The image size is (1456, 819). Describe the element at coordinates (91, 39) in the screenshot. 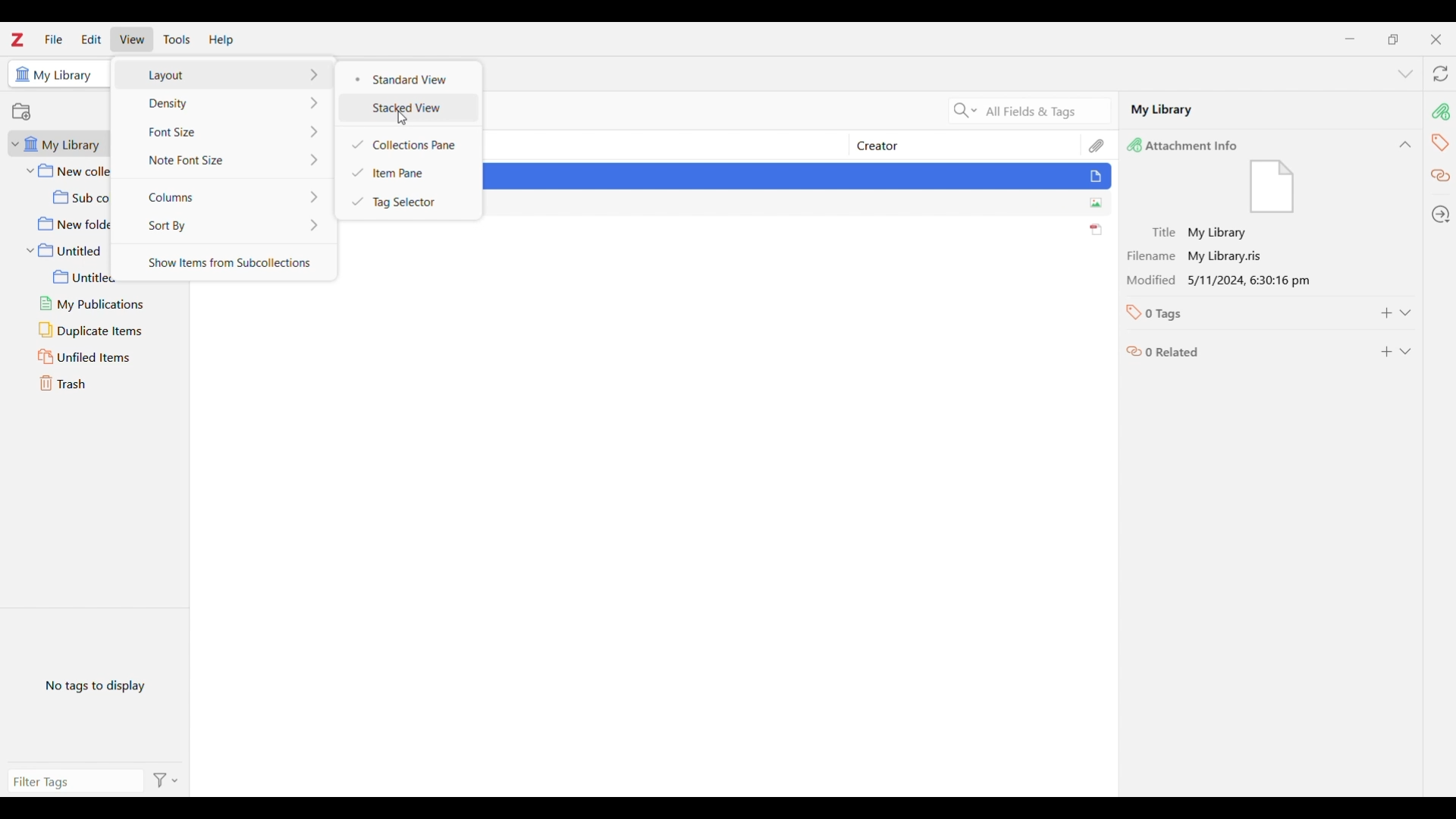

I see `Edit menu` at that location.